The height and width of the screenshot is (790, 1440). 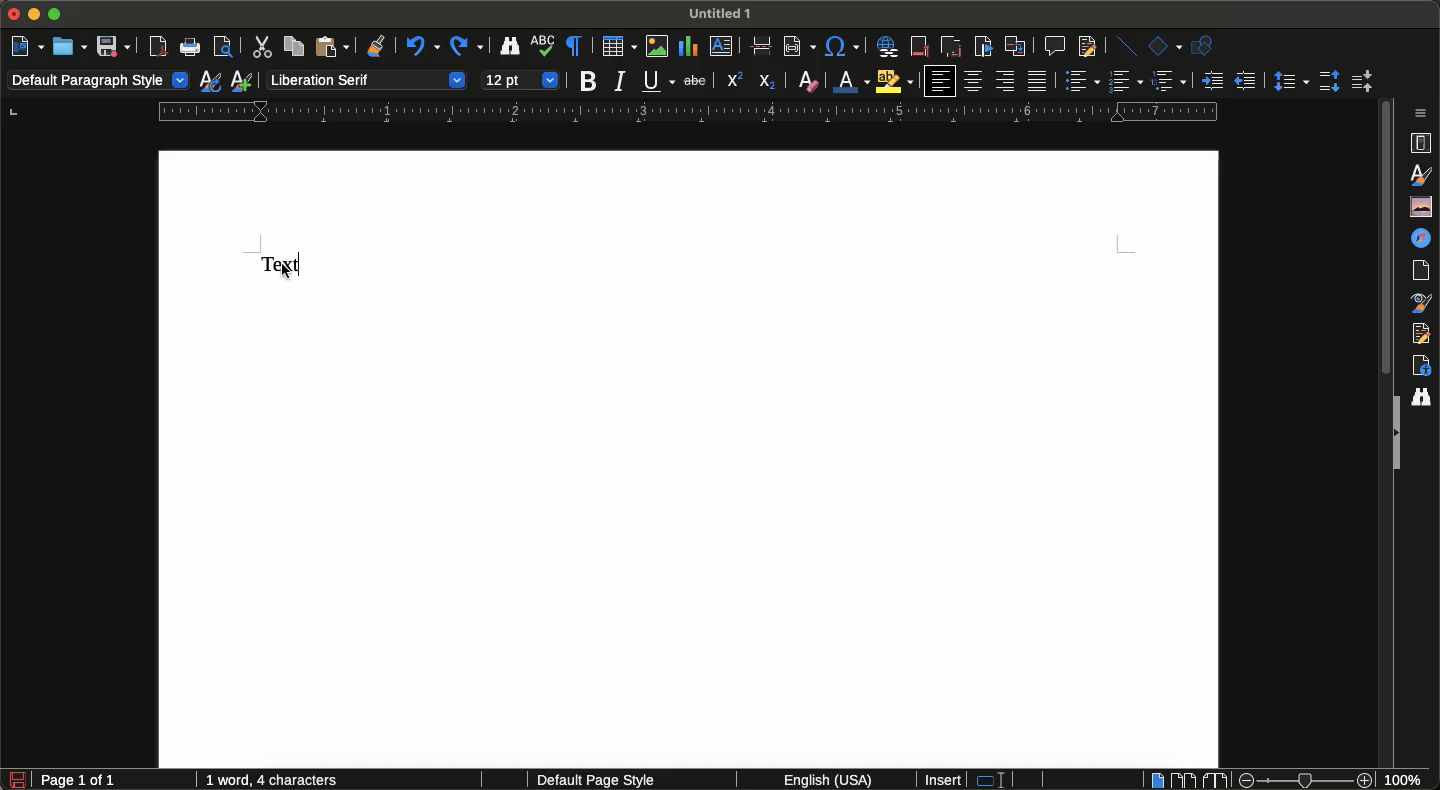 I want to click on Minimize, so click(x=37, y=16).